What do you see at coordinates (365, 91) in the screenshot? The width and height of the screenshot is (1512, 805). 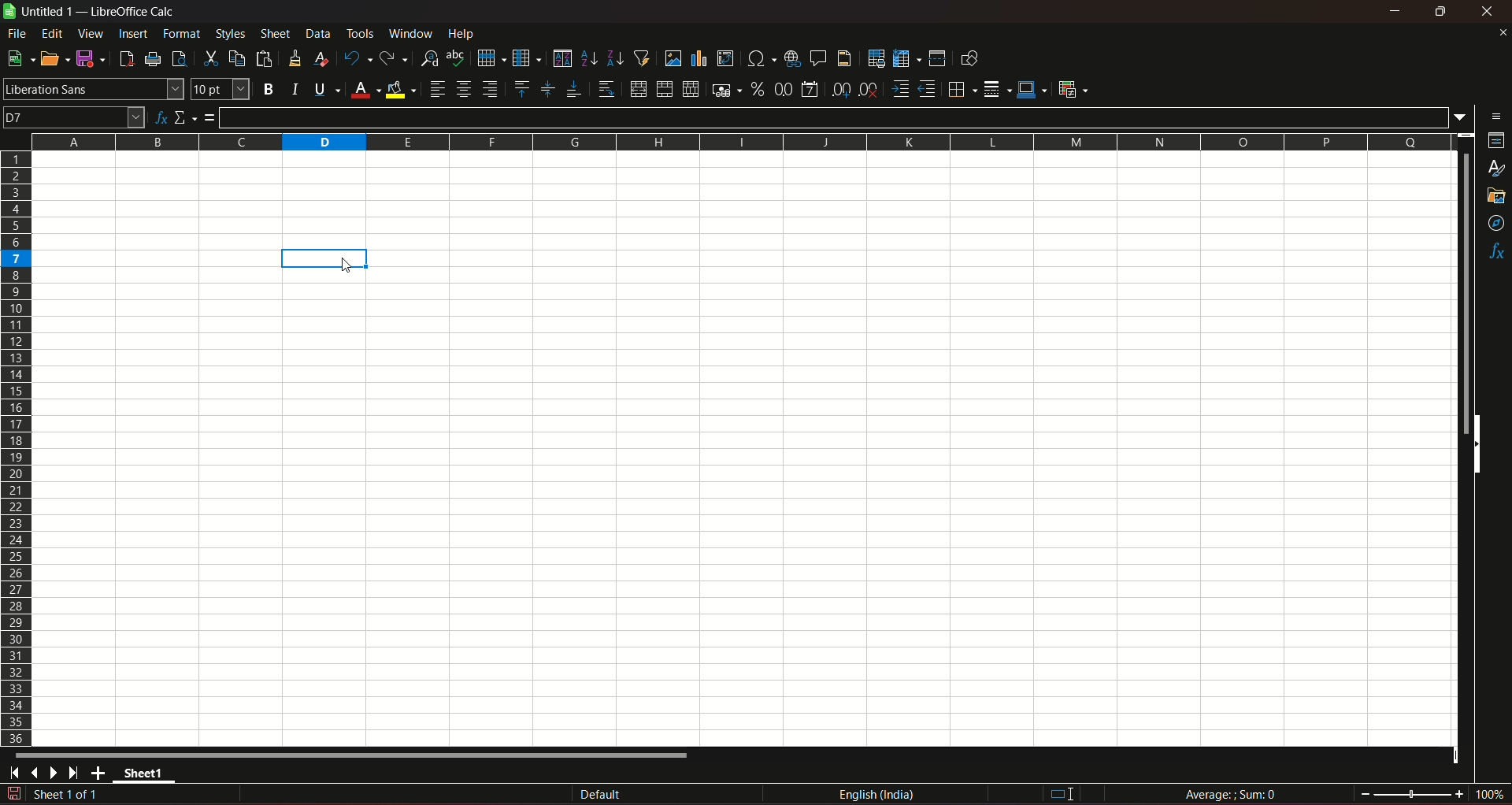 I see `font color` at bounding box center [365, 91].